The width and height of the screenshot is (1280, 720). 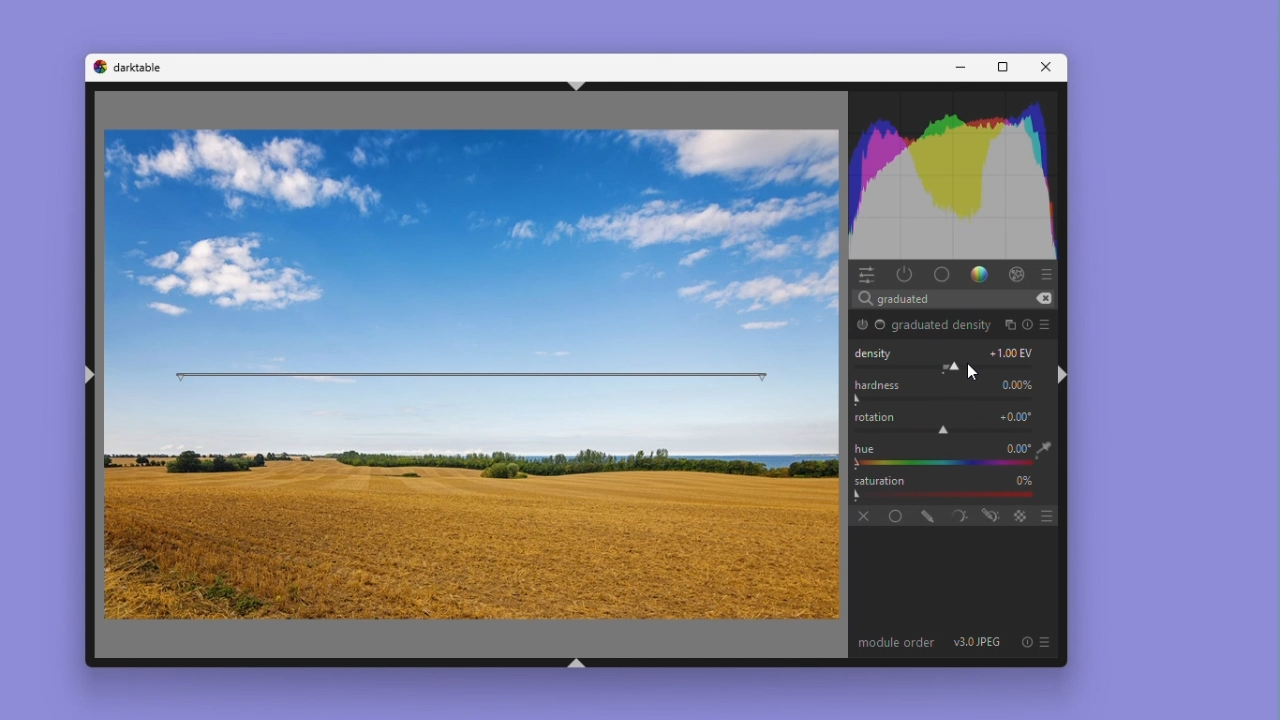 I want to click on reset, so click(x=1029, y=324).